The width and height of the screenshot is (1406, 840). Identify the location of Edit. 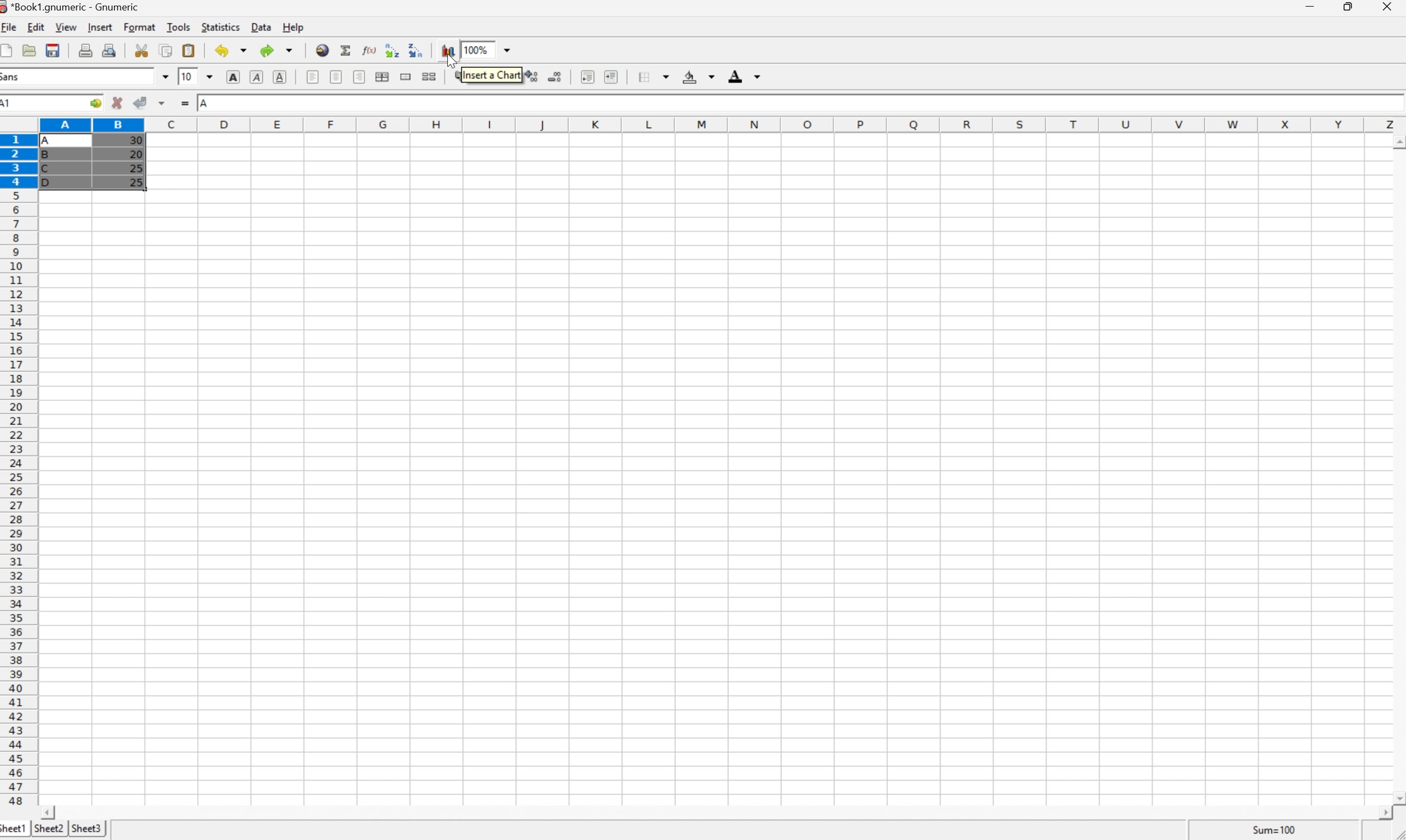
(36, 27).